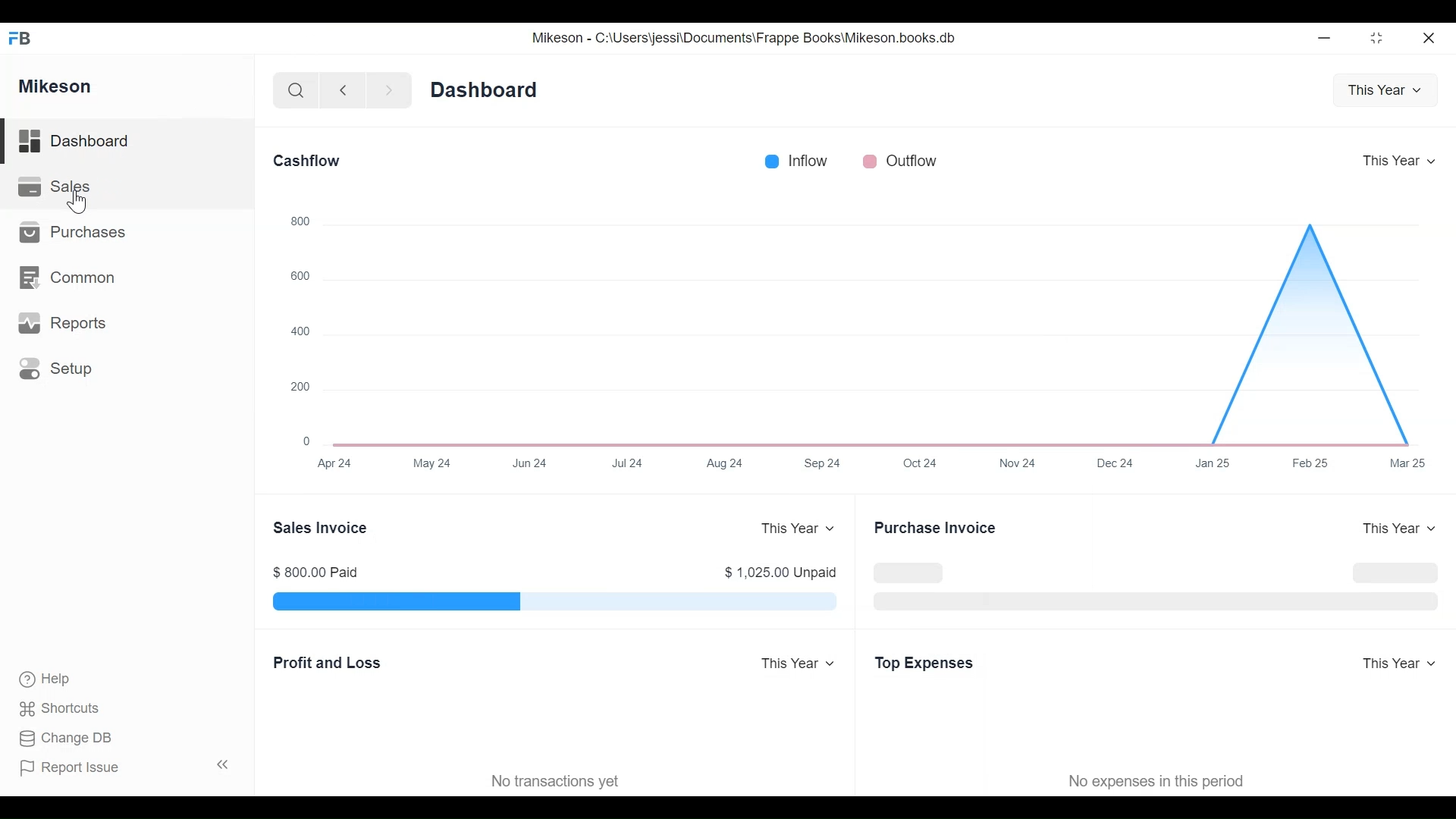  Describe the element at coordinates (81, 203) in the screenshot. I see `cursor` at that location.